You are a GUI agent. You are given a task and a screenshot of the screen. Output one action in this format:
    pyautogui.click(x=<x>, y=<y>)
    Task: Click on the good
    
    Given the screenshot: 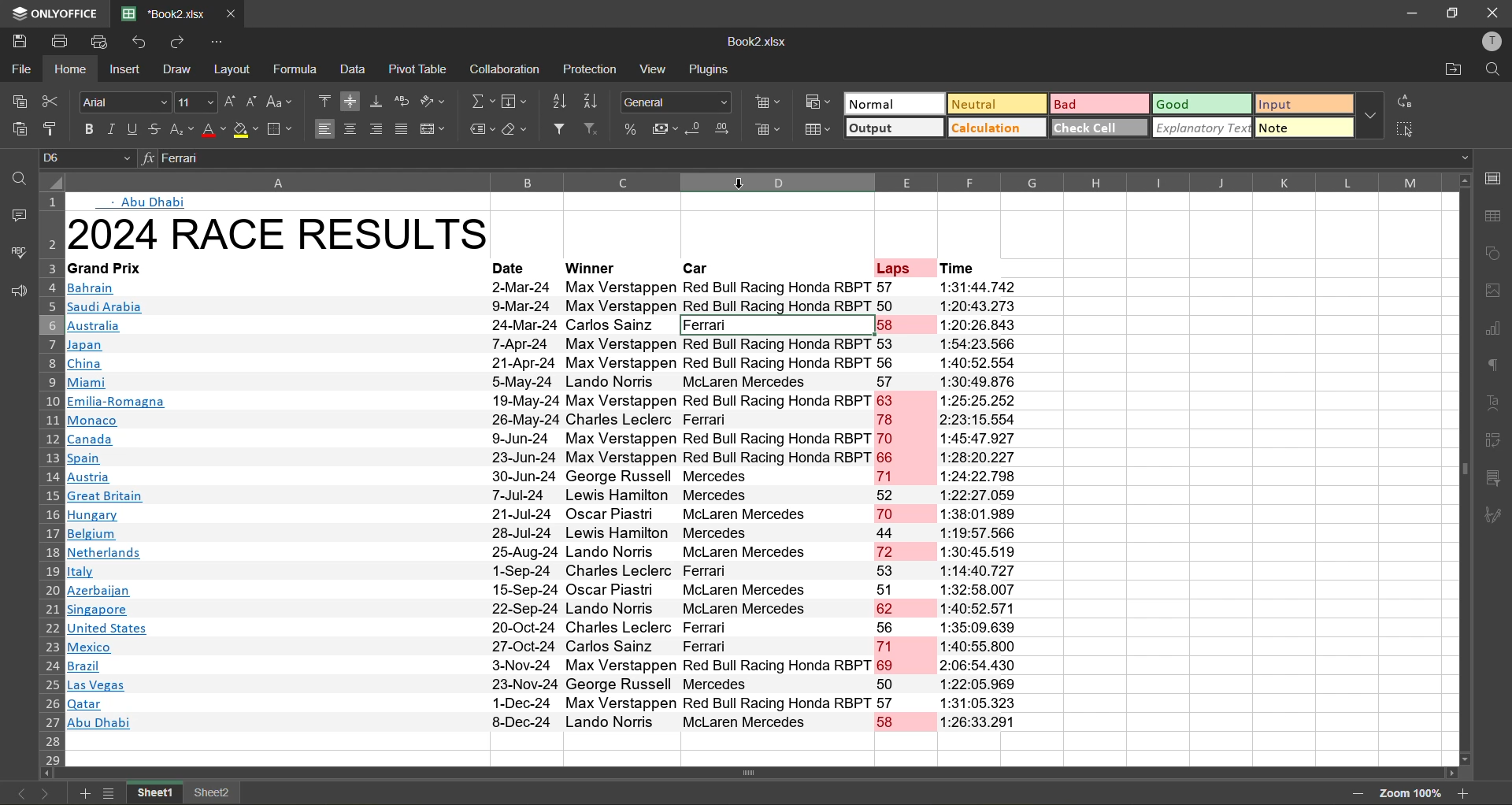 What is the action you would take?
    pyautogui.click(x=1200, y=105)
    